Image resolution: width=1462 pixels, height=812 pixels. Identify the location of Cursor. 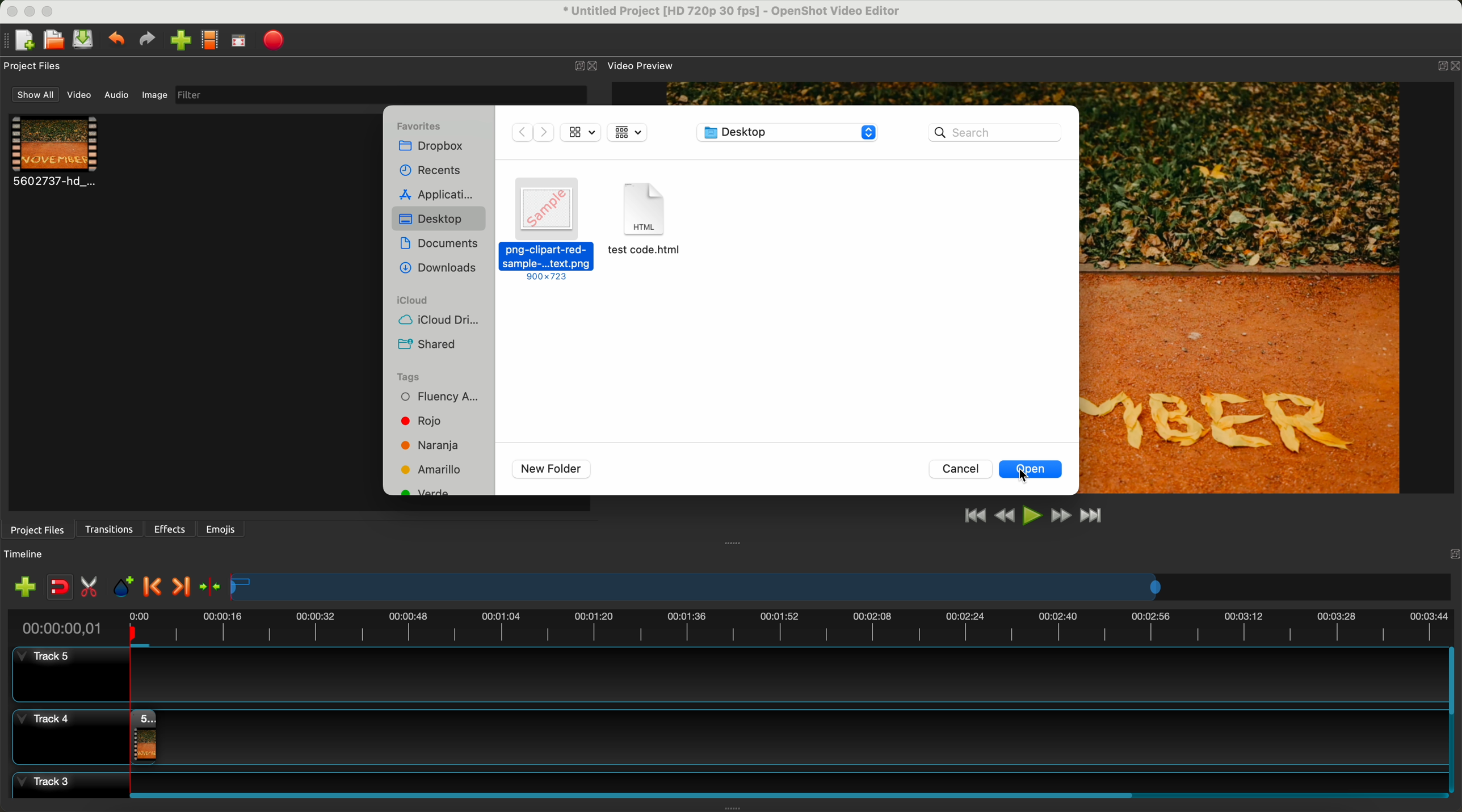
(1028, 476).